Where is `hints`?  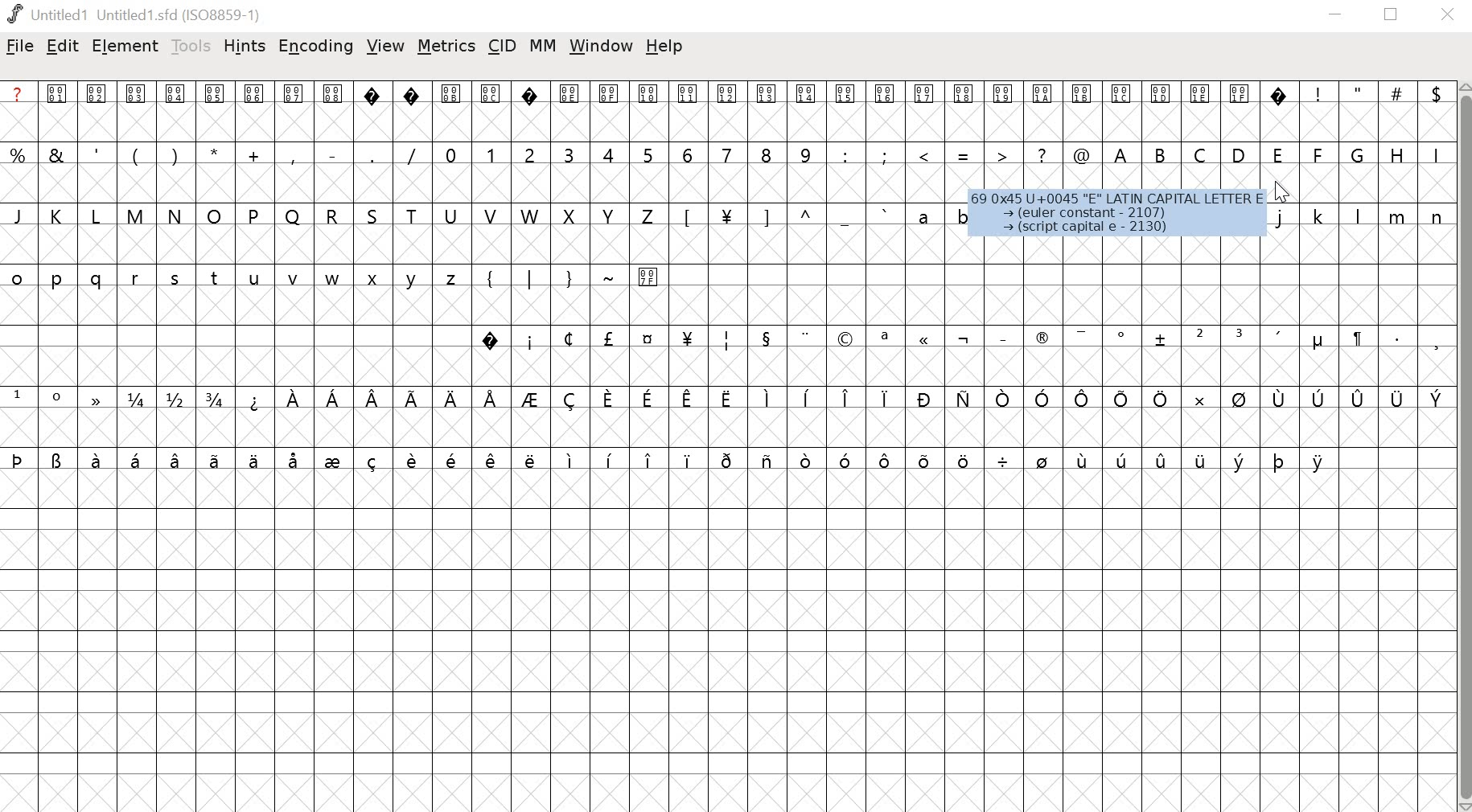 hints is located at coordinates (245, 47).